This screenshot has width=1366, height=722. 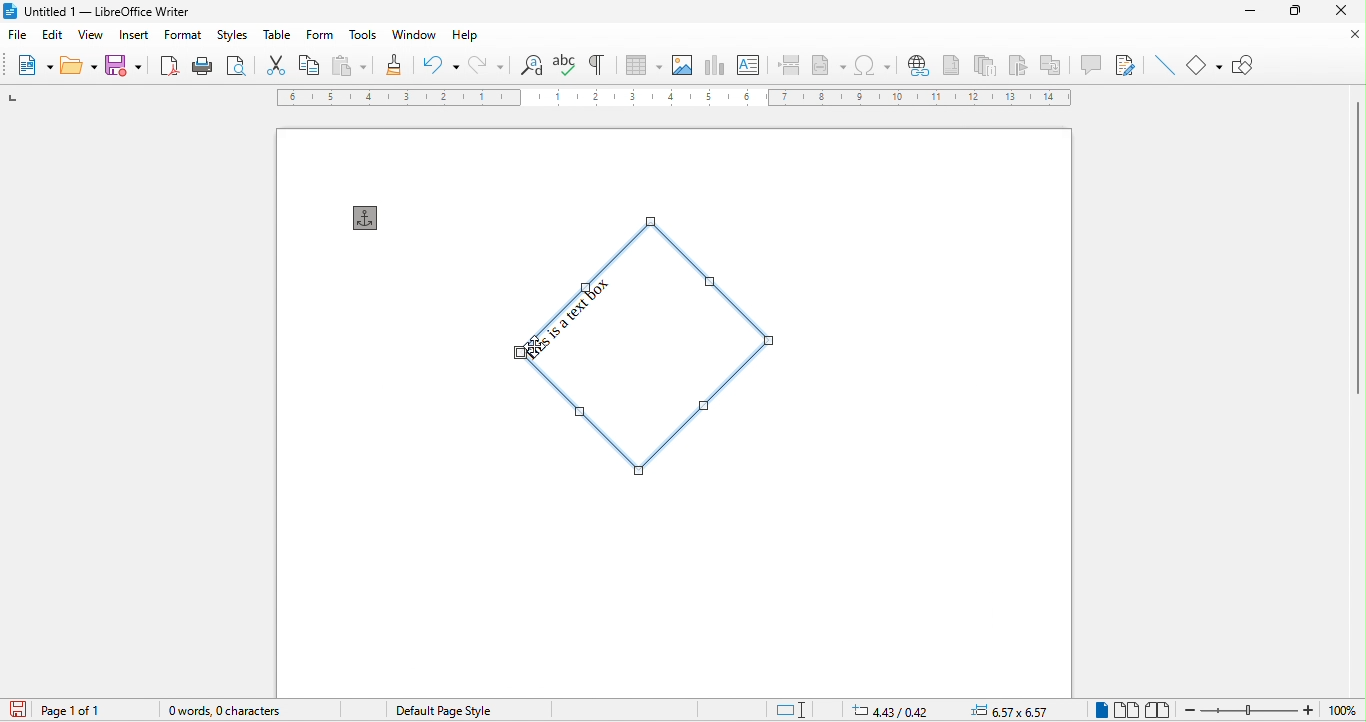 What do you see at coordinates (81, 710) in the screenshot?
I see `page 1 of 1` at bounding box center [81, 710].